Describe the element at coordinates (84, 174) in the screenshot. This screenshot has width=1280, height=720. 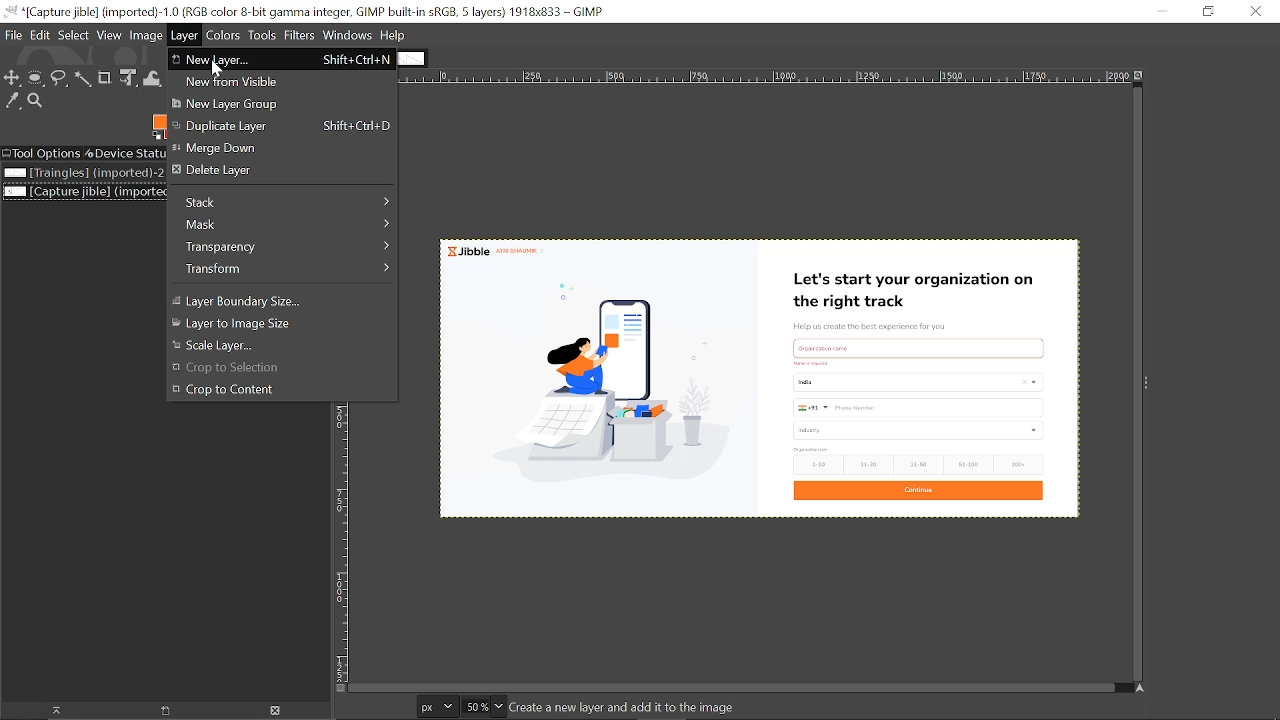
I see `Image file titled "Triangles"` at that location.